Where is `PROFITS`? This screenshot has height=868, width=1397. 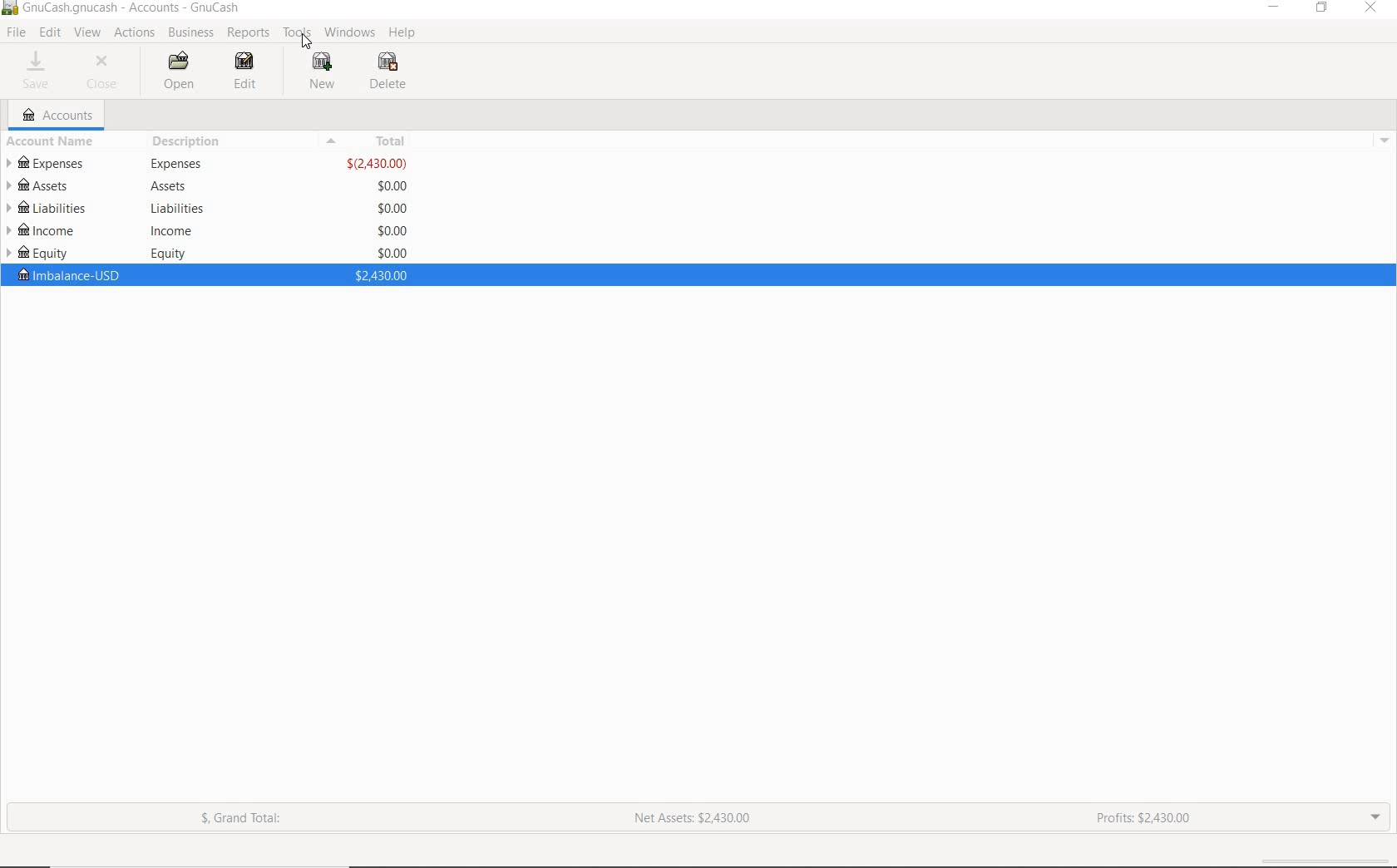 PROFITS is located at coordinates (1138, 818).